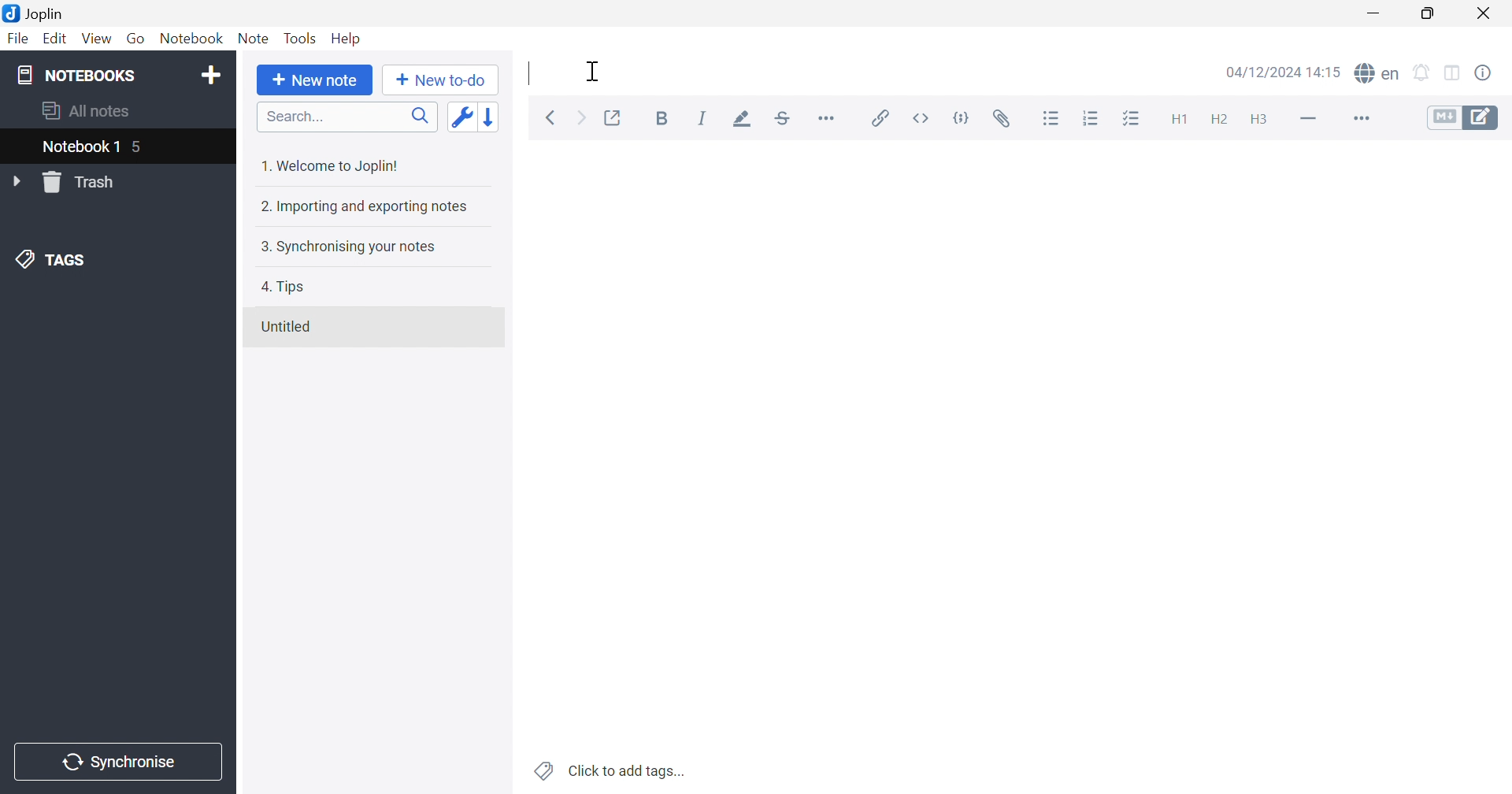 This screenshot has height=794, width=1512. I want to click on Tools, so click(300, 38).